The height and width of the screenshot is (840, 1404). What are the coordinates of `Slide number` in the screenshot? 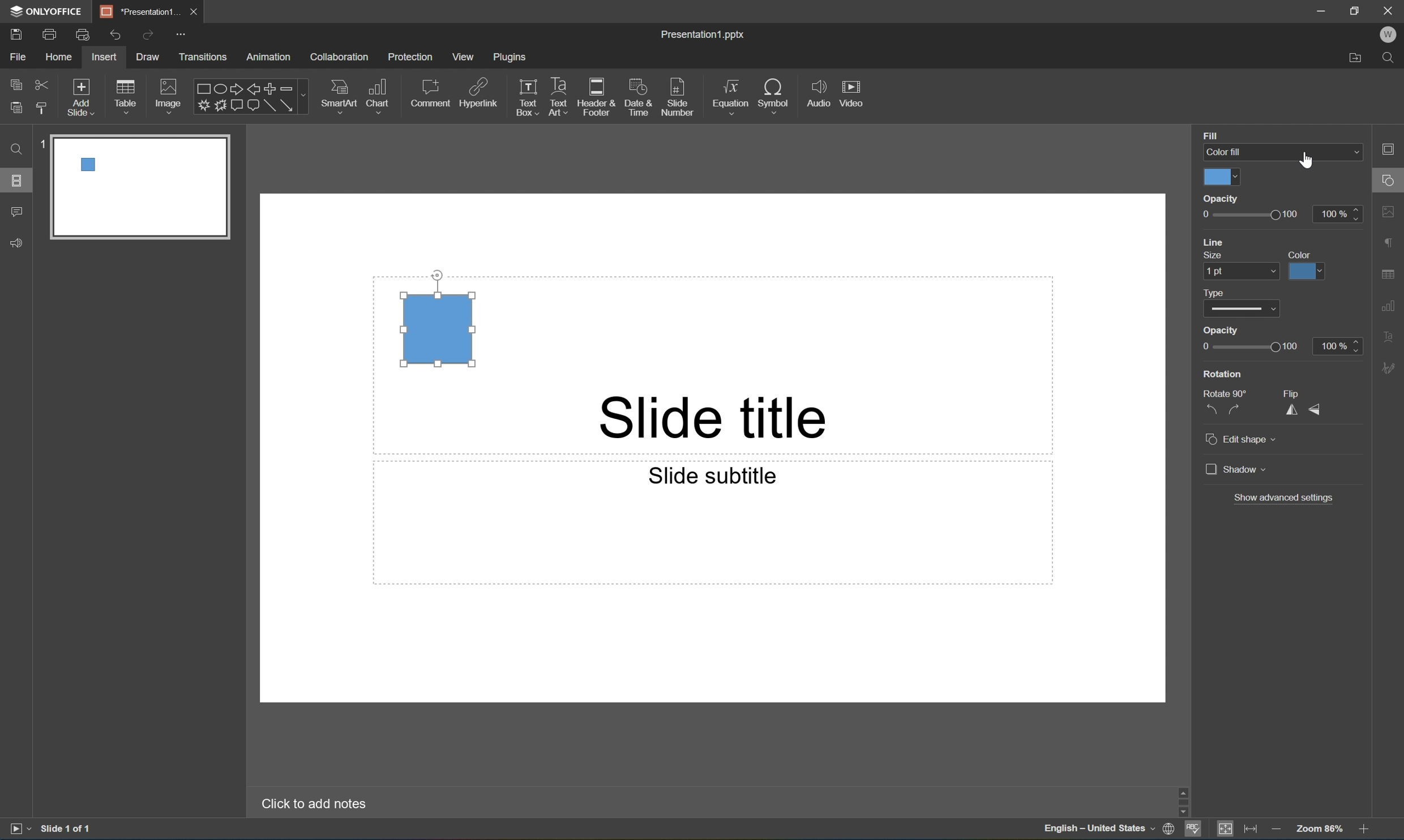 It's located at (678, 93).